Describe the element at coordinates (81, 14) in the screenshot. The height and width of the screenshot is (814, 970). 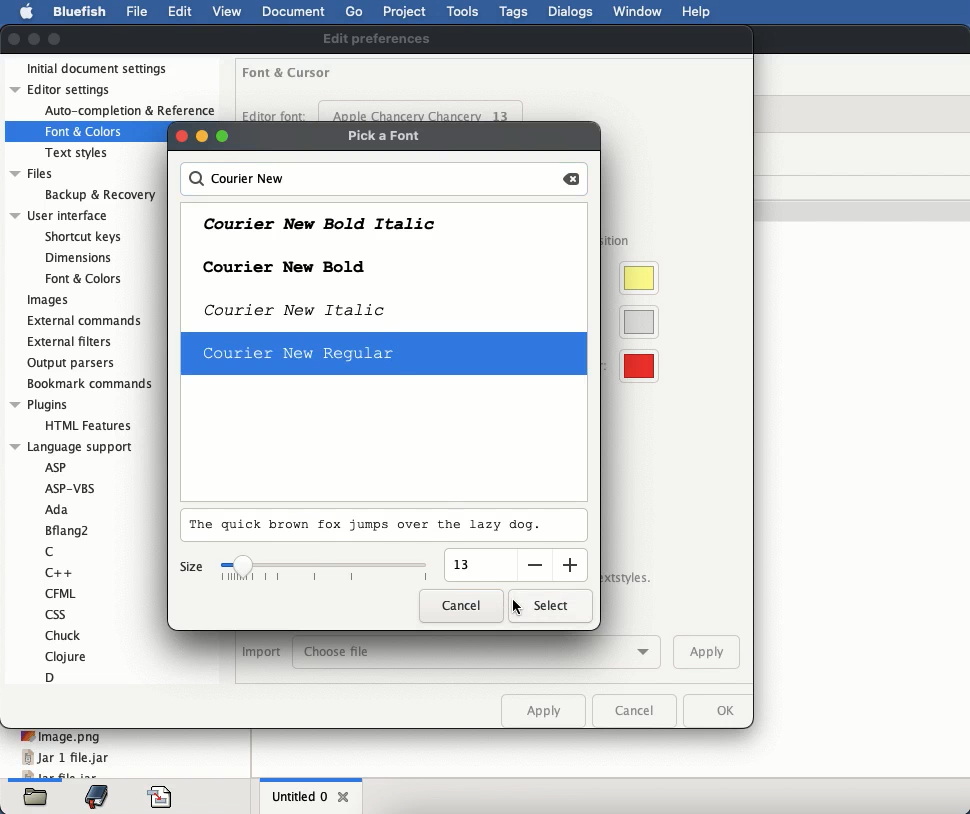
I see `bluefish` at that location.